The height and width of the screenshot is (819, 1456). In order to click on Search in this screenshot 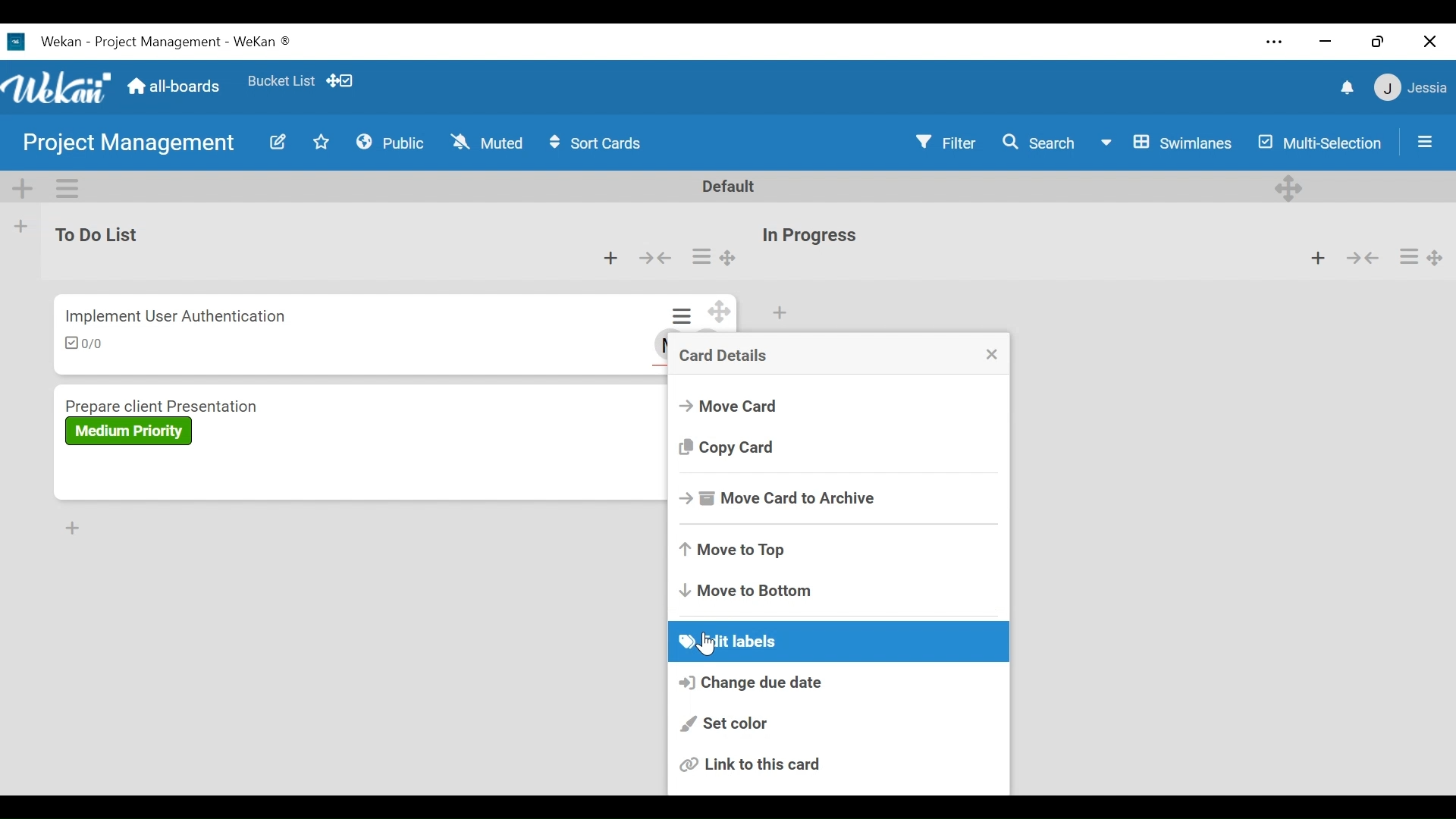, I will do `click(1039, 142)`.